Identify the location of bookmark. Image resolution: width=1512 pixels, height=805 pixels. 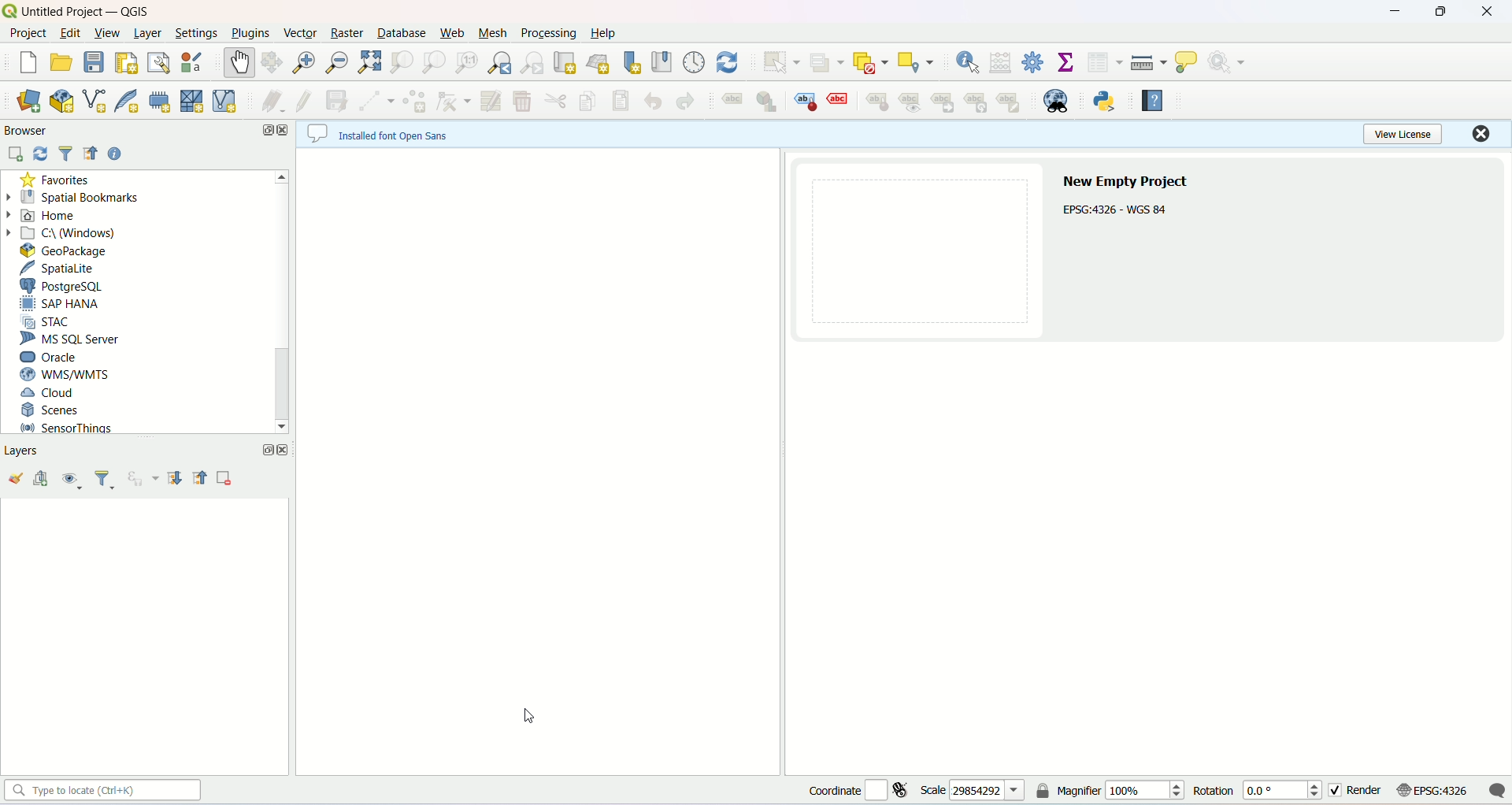
(664, 62).